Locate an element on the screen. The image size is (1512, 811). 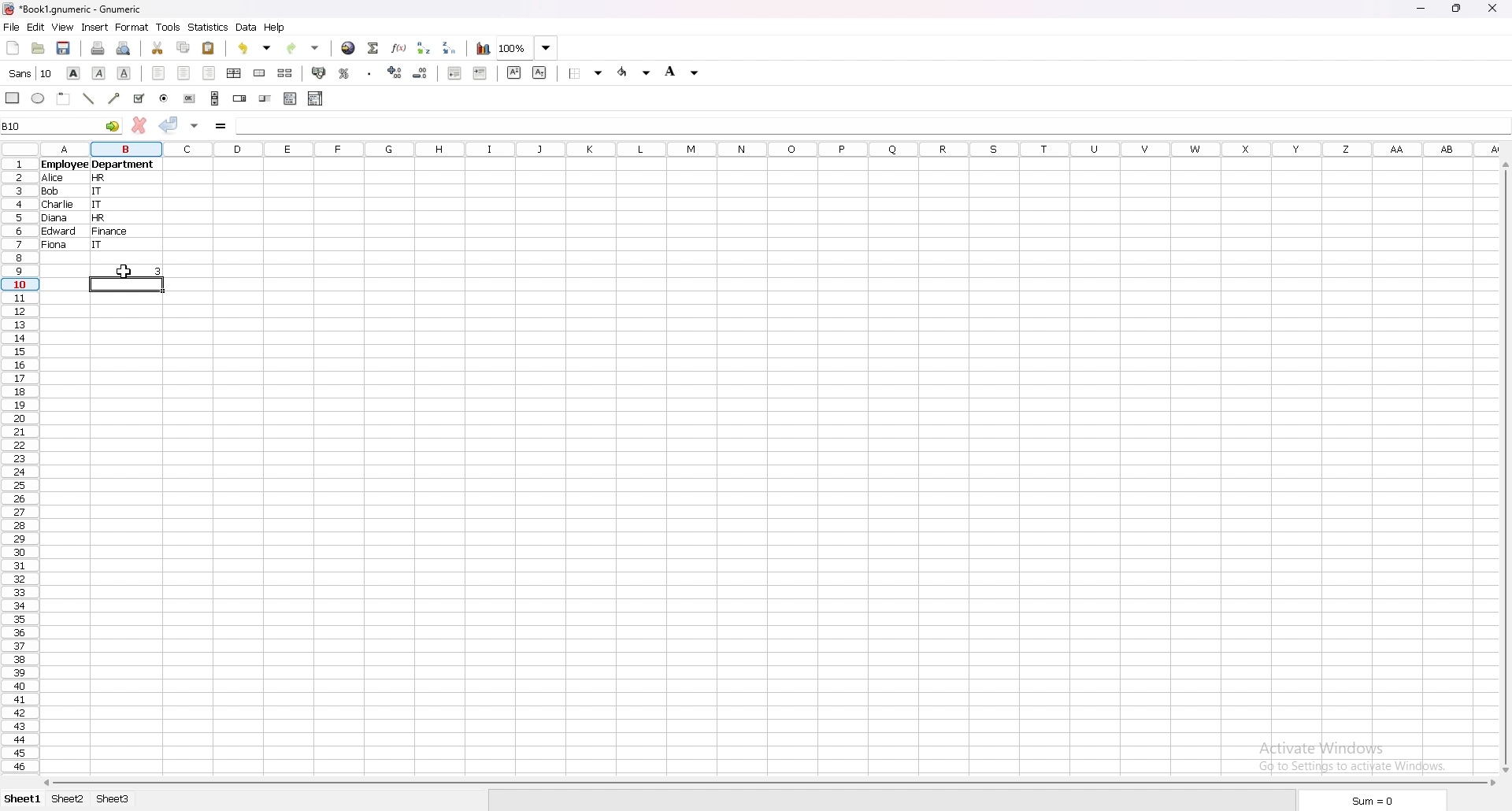
scroll bar is located at coordinates (216, 98).